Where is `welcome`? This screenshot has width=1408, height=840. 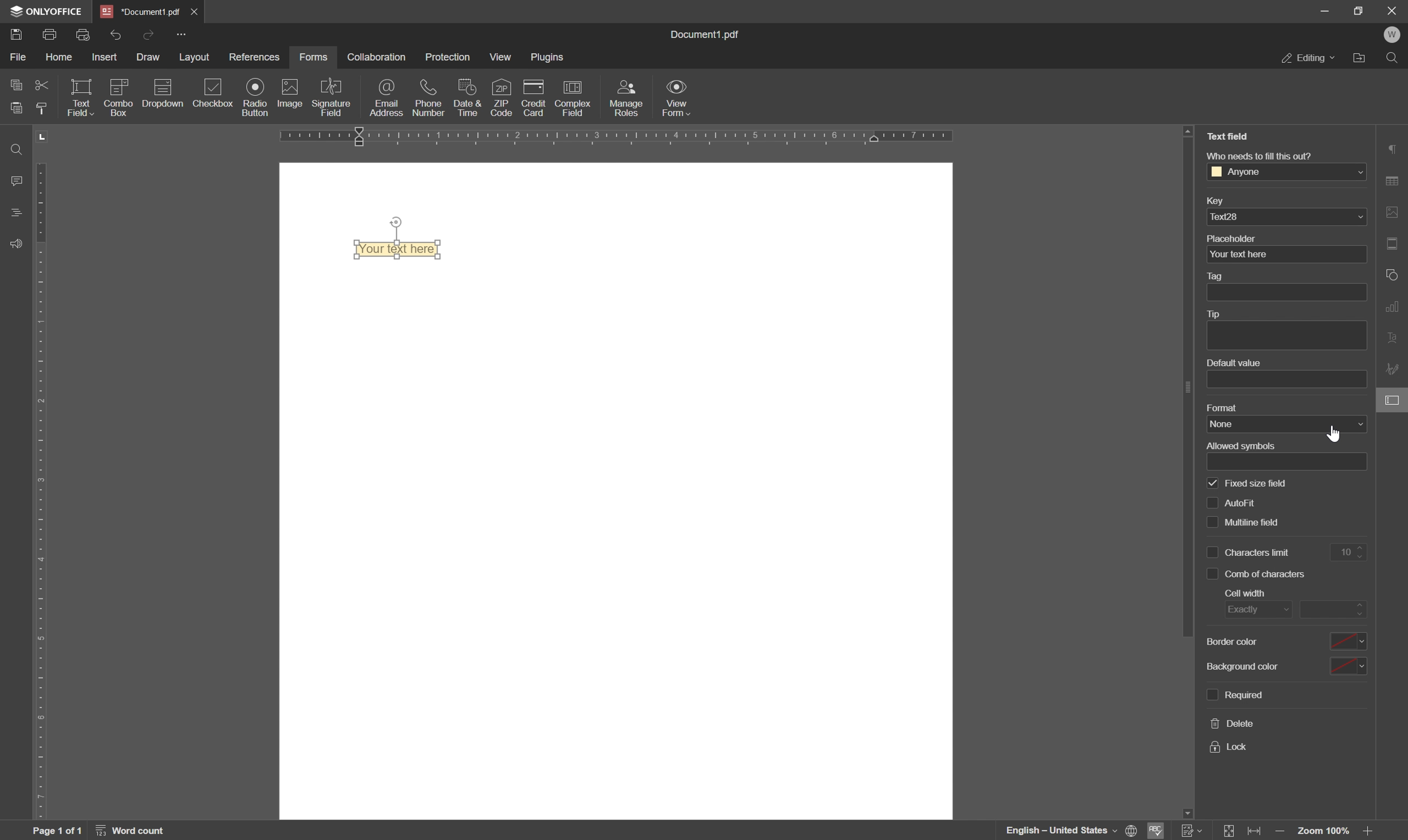 welcome is located at coordinates (1393, 35).